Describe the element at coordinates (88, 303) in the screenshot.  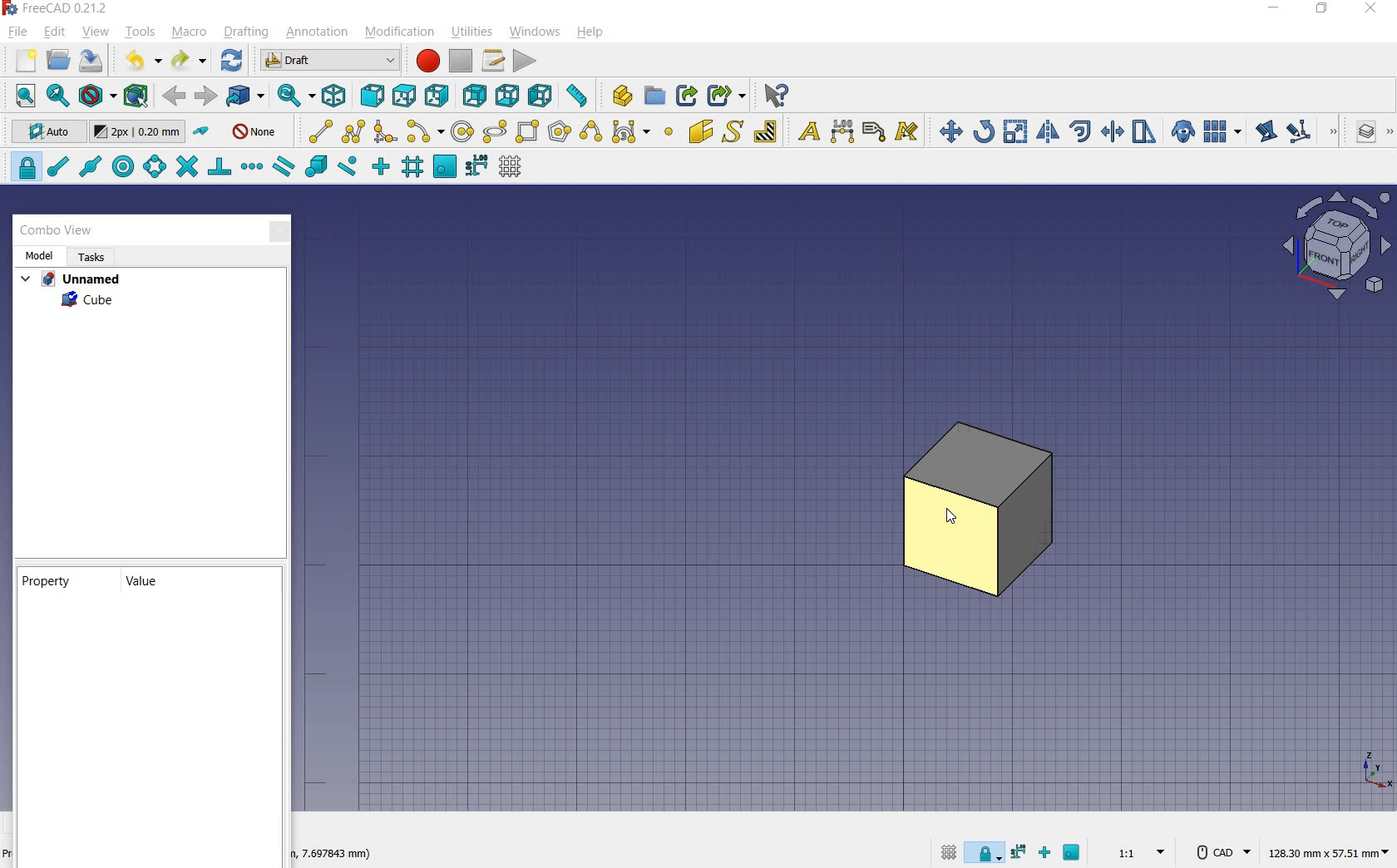
I see `cube` at that location.